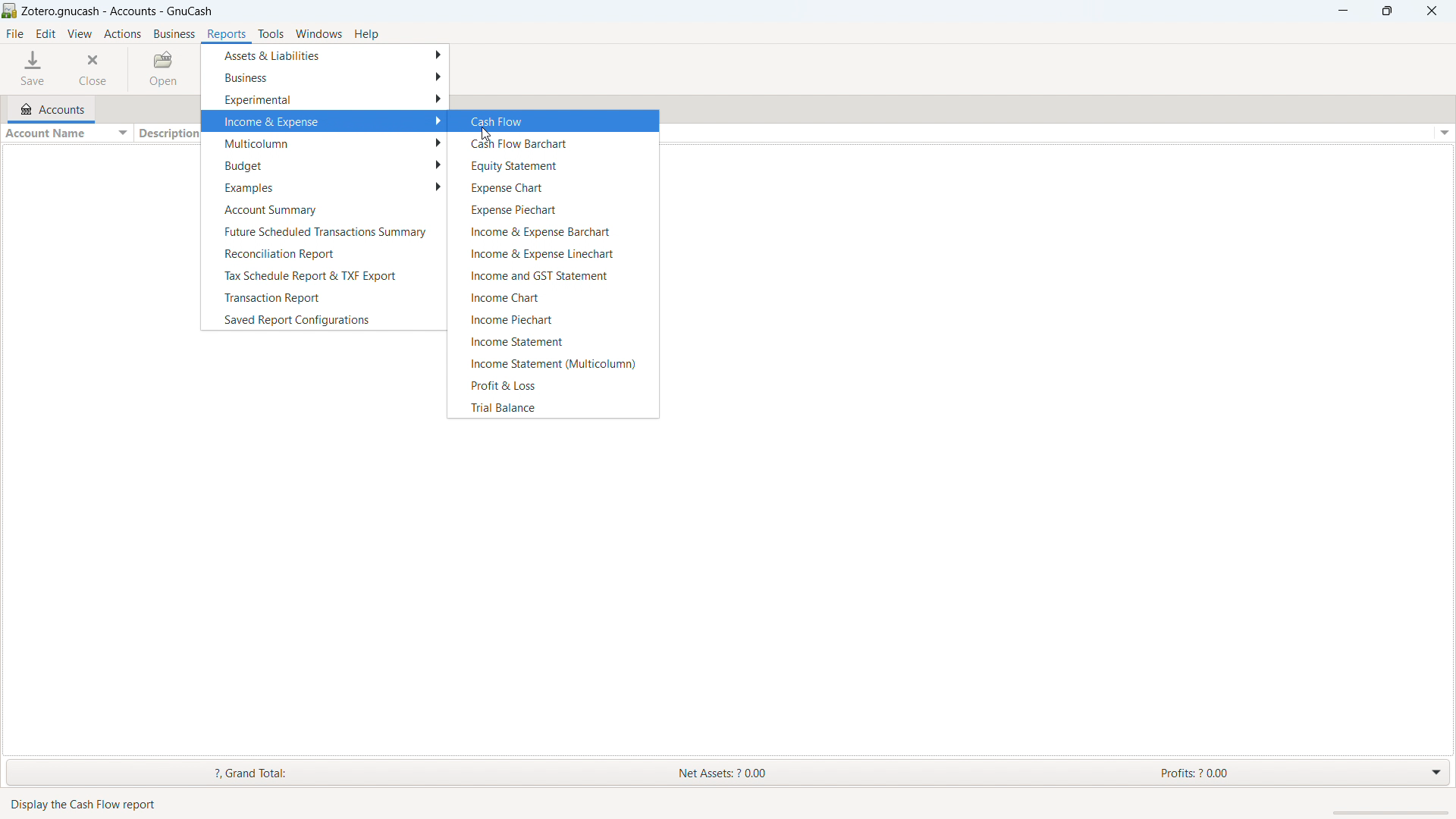 Image resolution: width=1456 pixels, height=819 pixels. I want to click on account summary, so click(322, 209).